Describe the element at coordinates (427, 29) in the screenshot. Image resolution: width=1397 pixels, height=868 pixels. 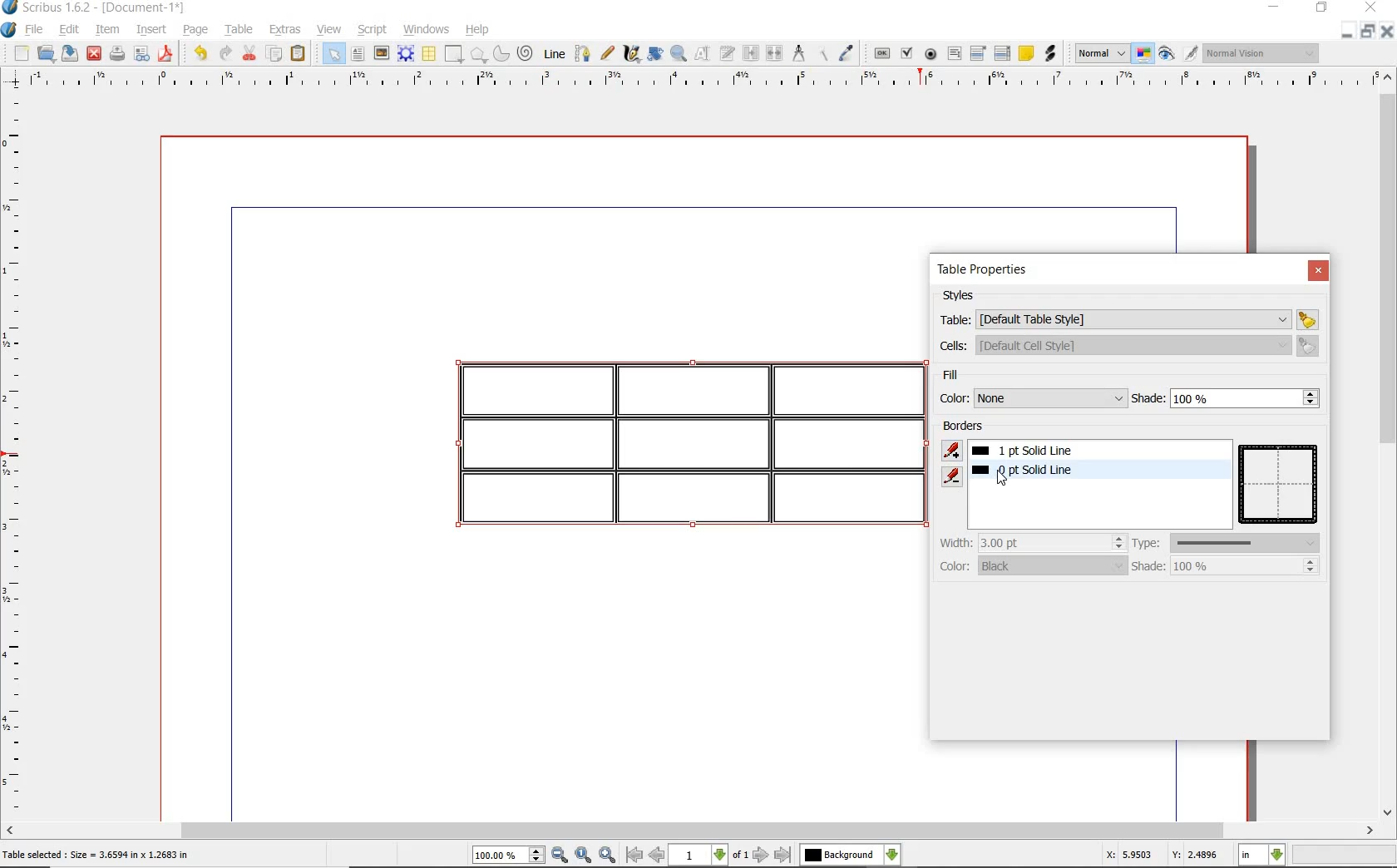
I see `windows` at that location.